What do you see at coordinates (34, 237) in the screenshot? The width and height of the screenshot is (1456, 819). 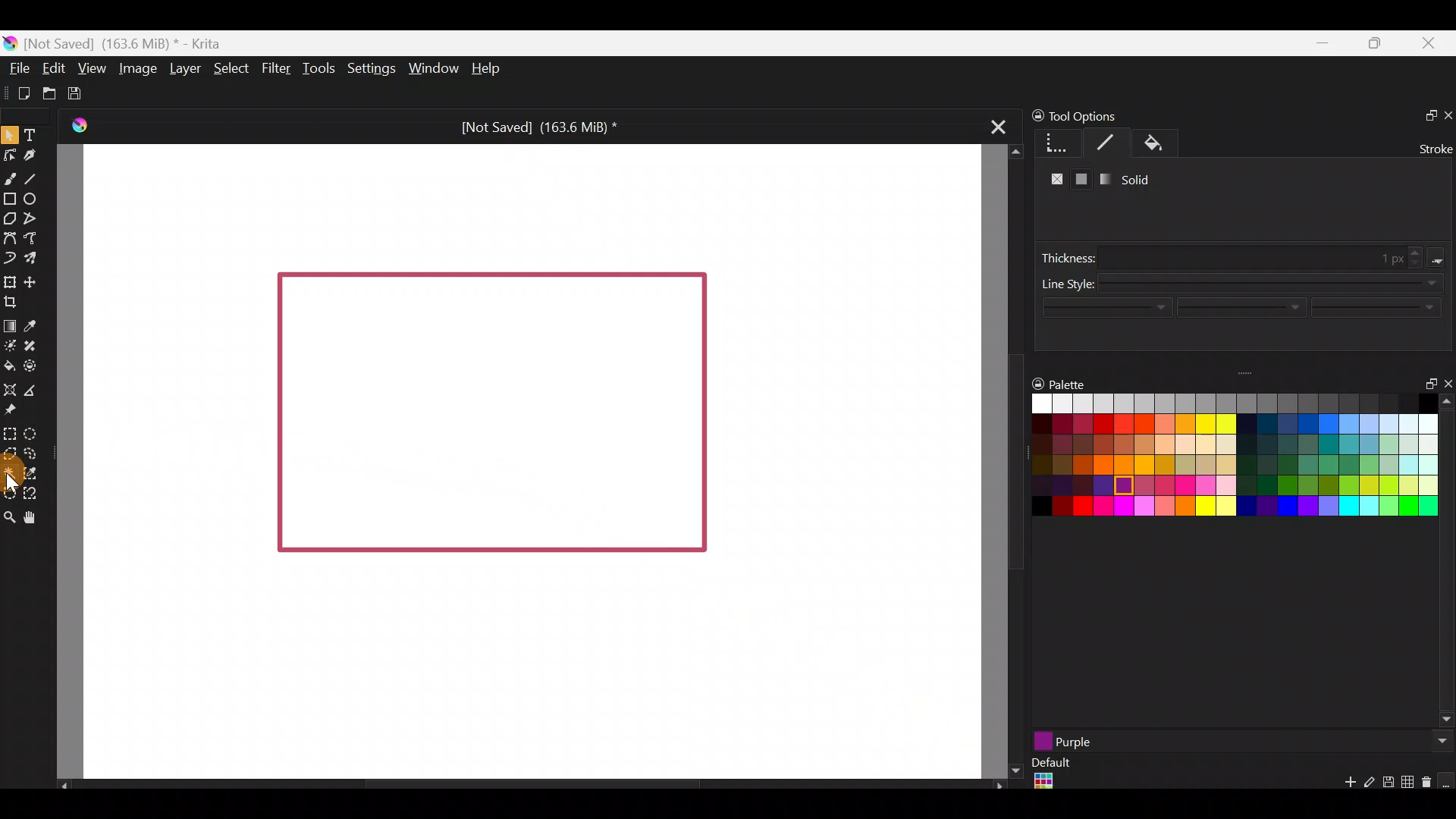 I see `Freehand path tool` at bounding box center [34, 237].